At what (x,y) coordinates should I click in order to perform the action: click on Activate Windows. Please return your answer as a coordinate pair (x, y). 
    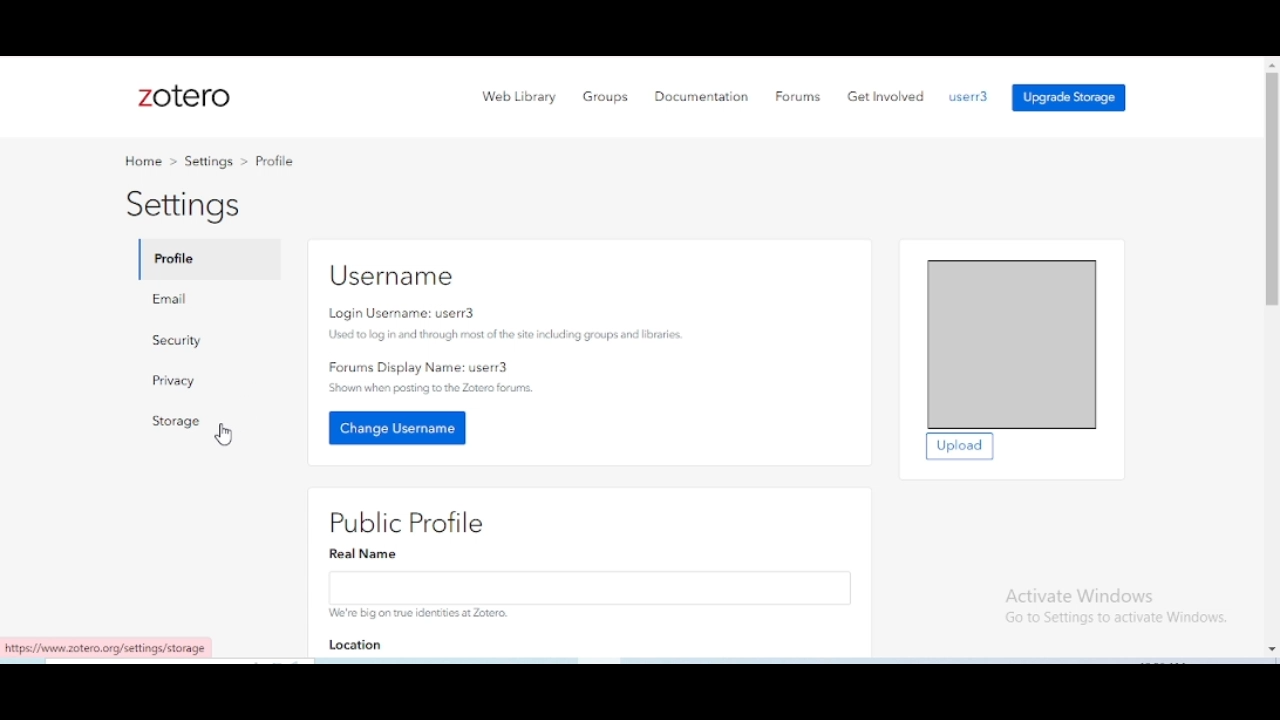
    Looking at the image, I should click on (1087, 596).